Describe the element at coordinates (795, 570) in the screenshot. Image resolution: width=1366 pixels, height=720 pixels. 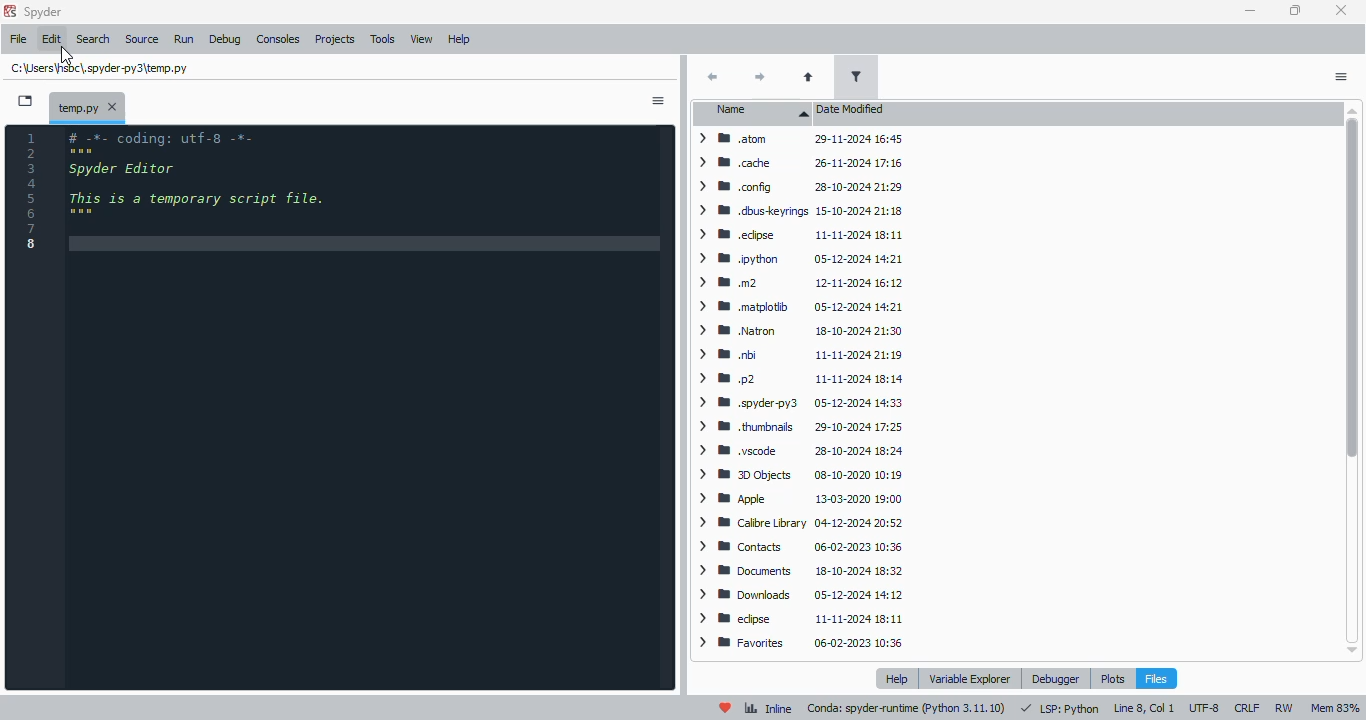
I see `> BB Documents 18-10-2024 18:32` at that location.